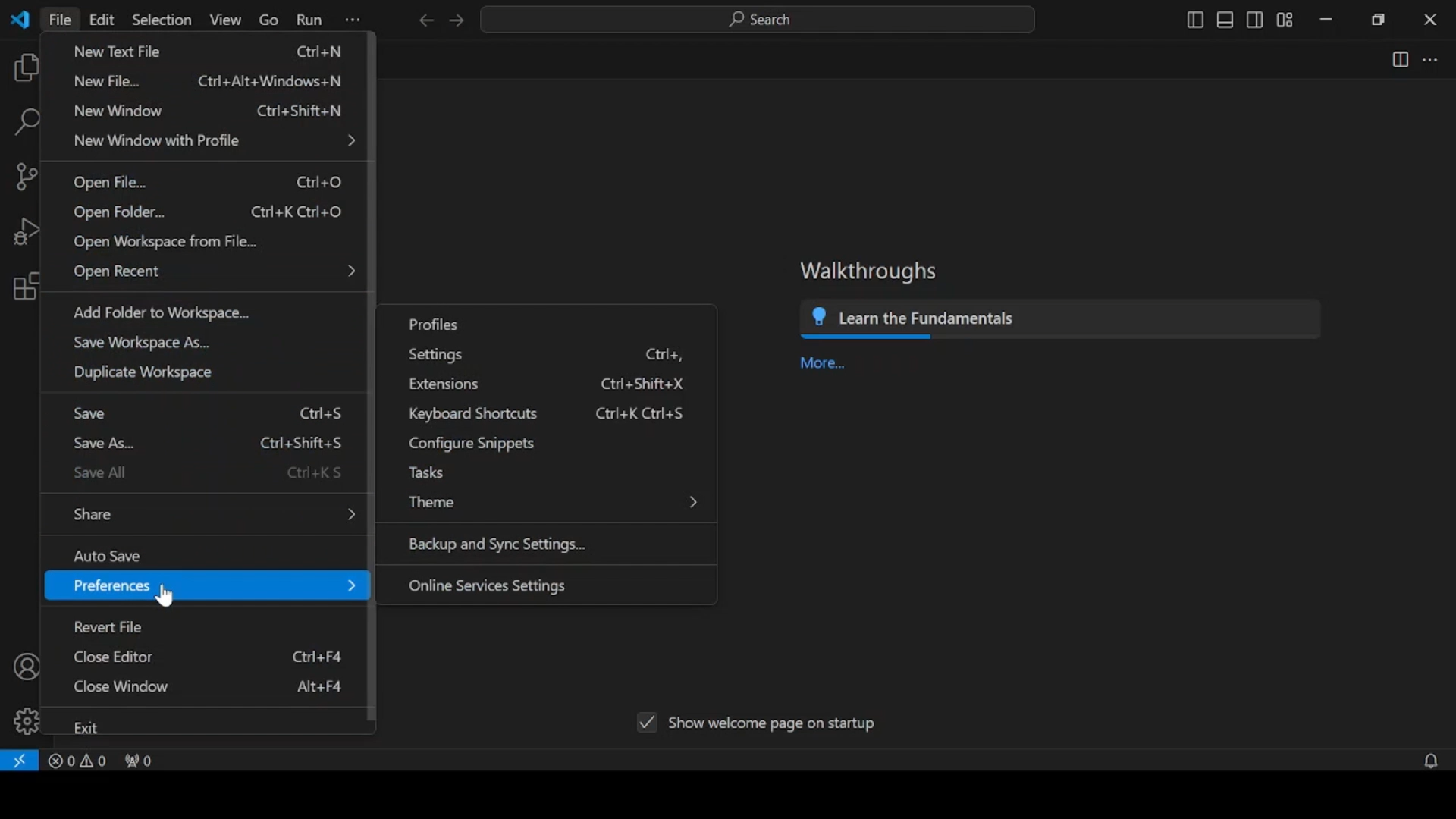 This screenshot has width=1456, height=819. I want to click on more actions, so click(1431, 62).